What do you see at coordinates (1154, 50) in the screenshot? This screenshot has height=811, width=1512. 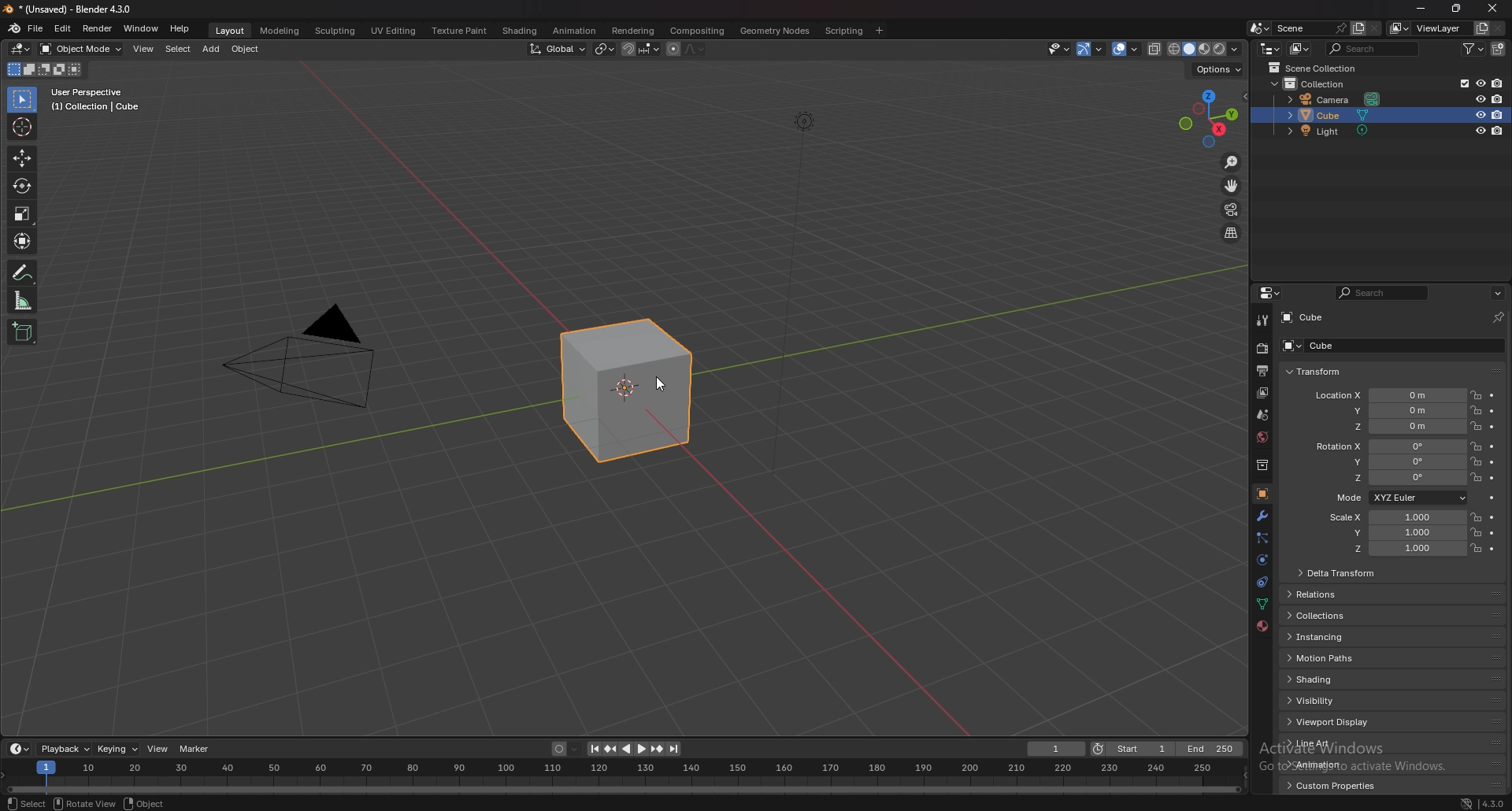 I see `toggle xray` at bounding box center [1154, 50].